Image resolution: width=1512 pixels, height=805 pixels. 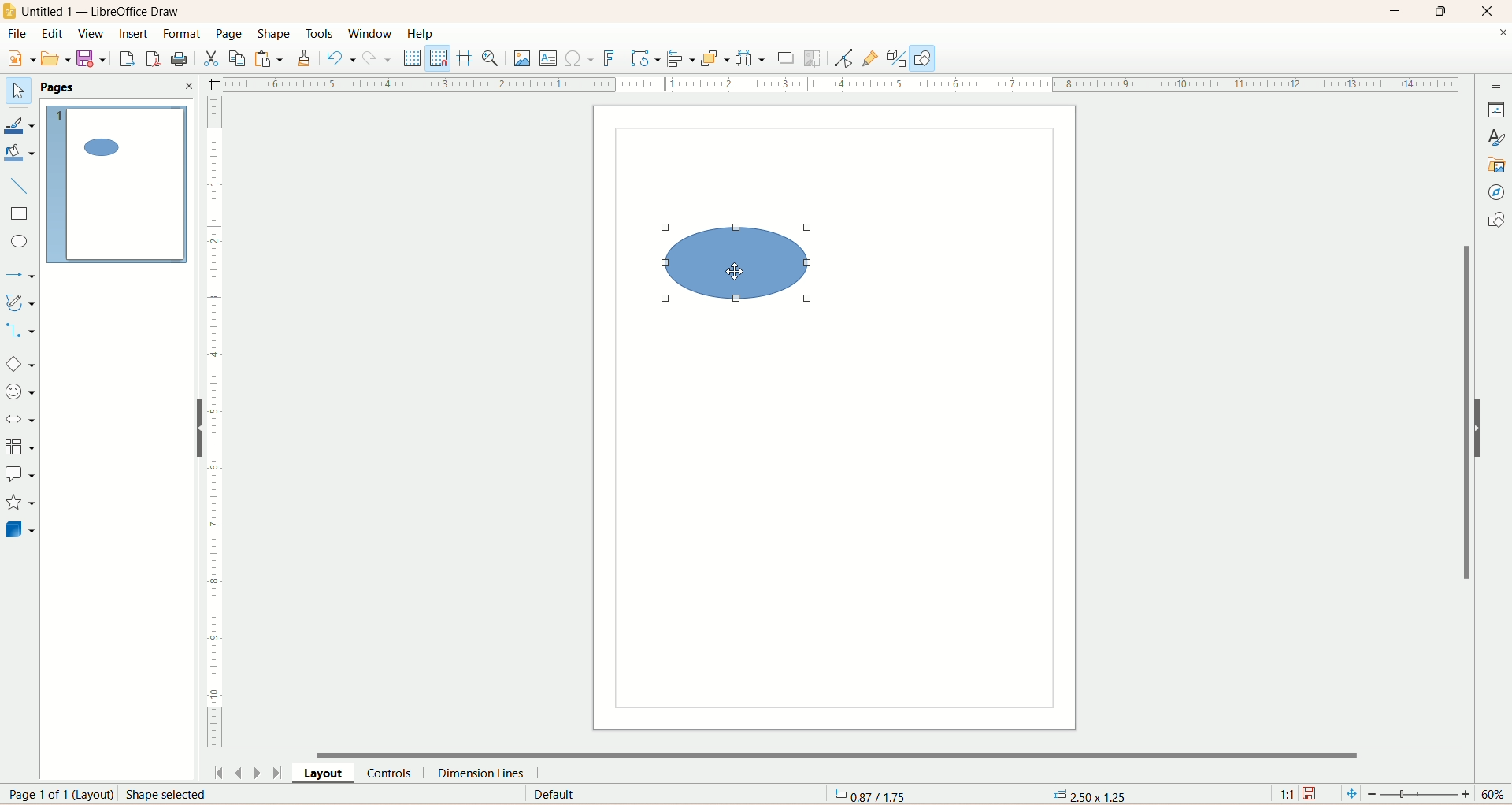 I want to click on star and banners, so click(x=19, y=502).